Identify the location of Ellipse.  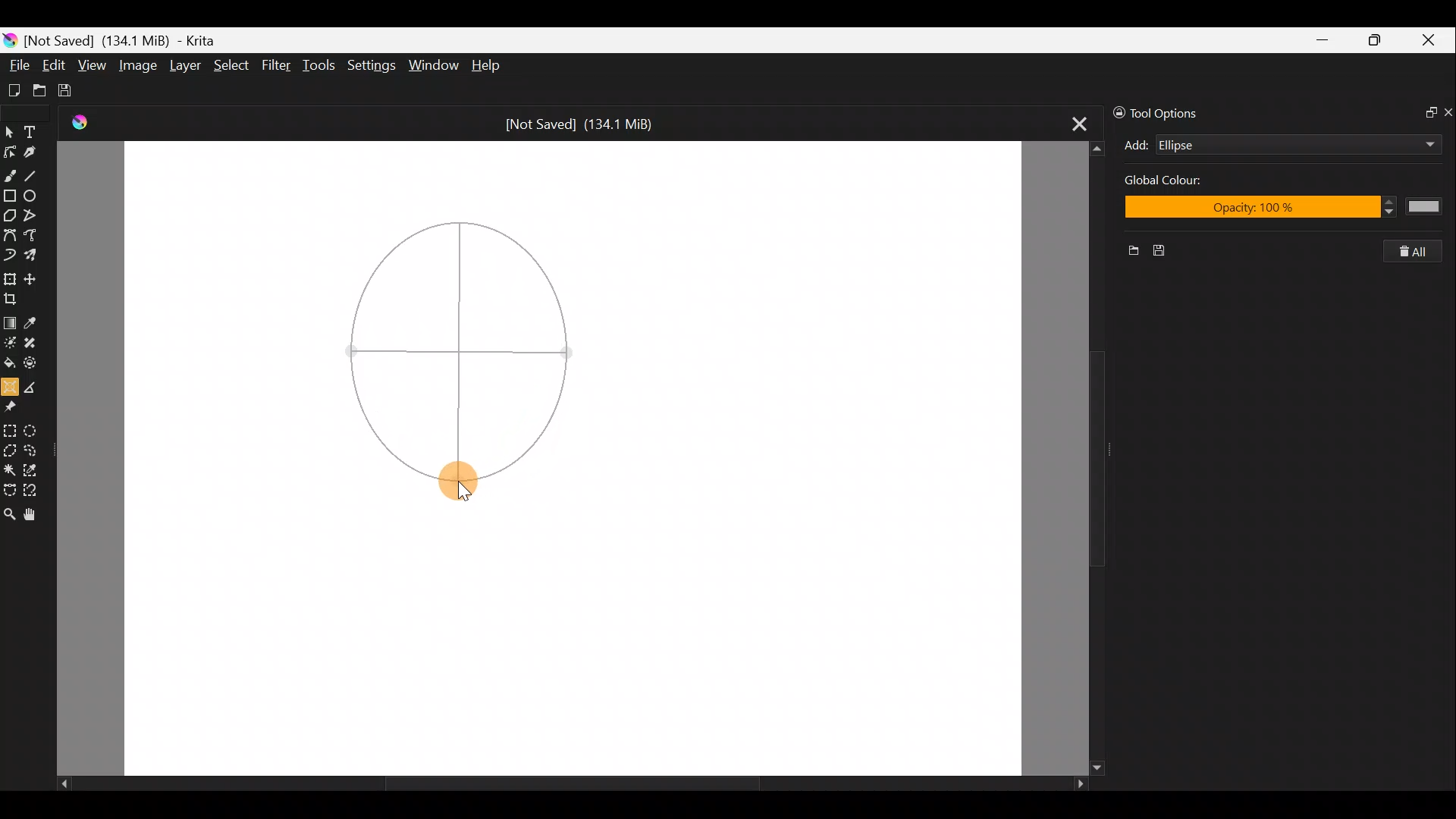
(1274, 145).